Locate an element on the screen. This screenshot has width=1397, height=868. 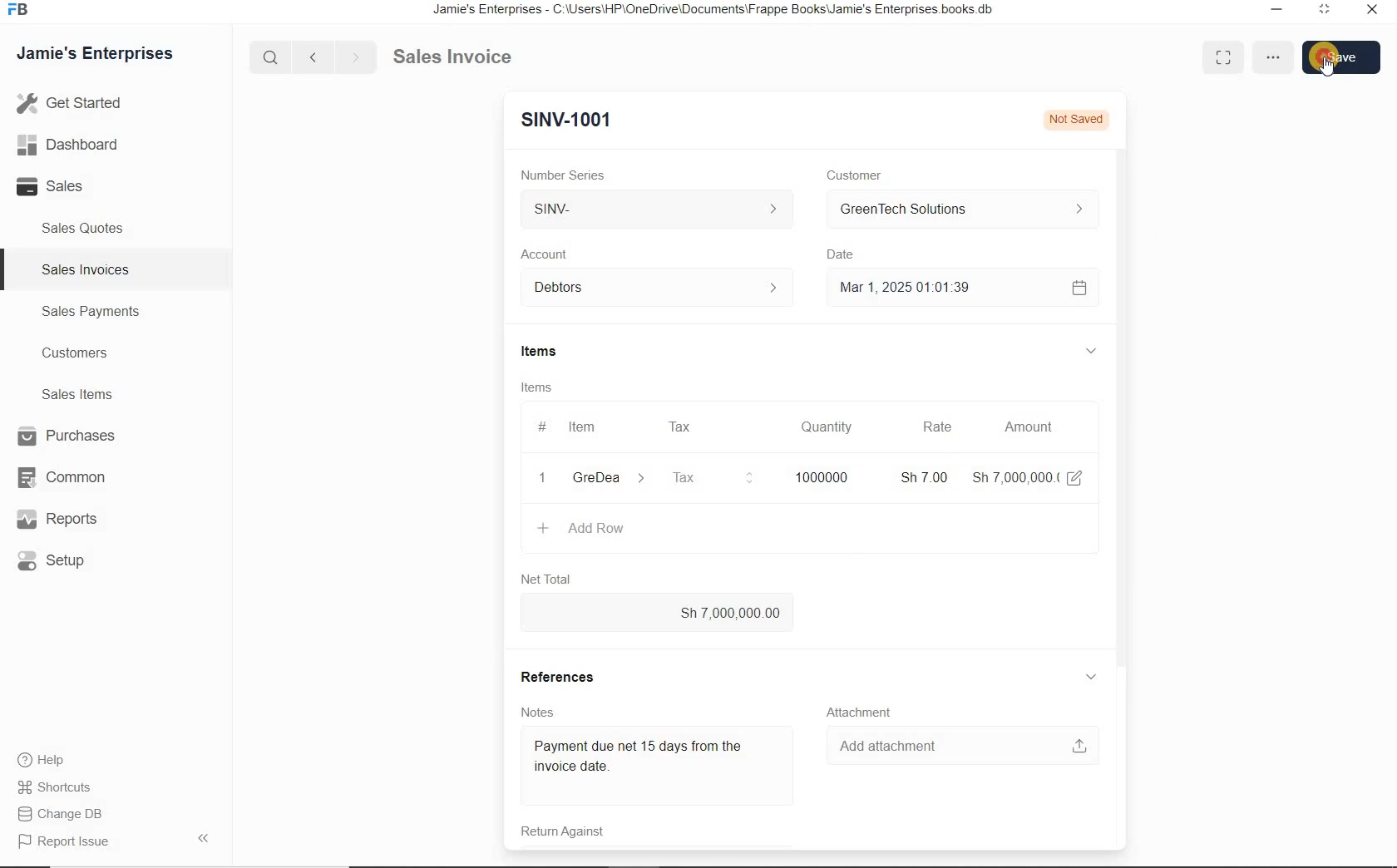
close is located at coordinates (1373, 13).